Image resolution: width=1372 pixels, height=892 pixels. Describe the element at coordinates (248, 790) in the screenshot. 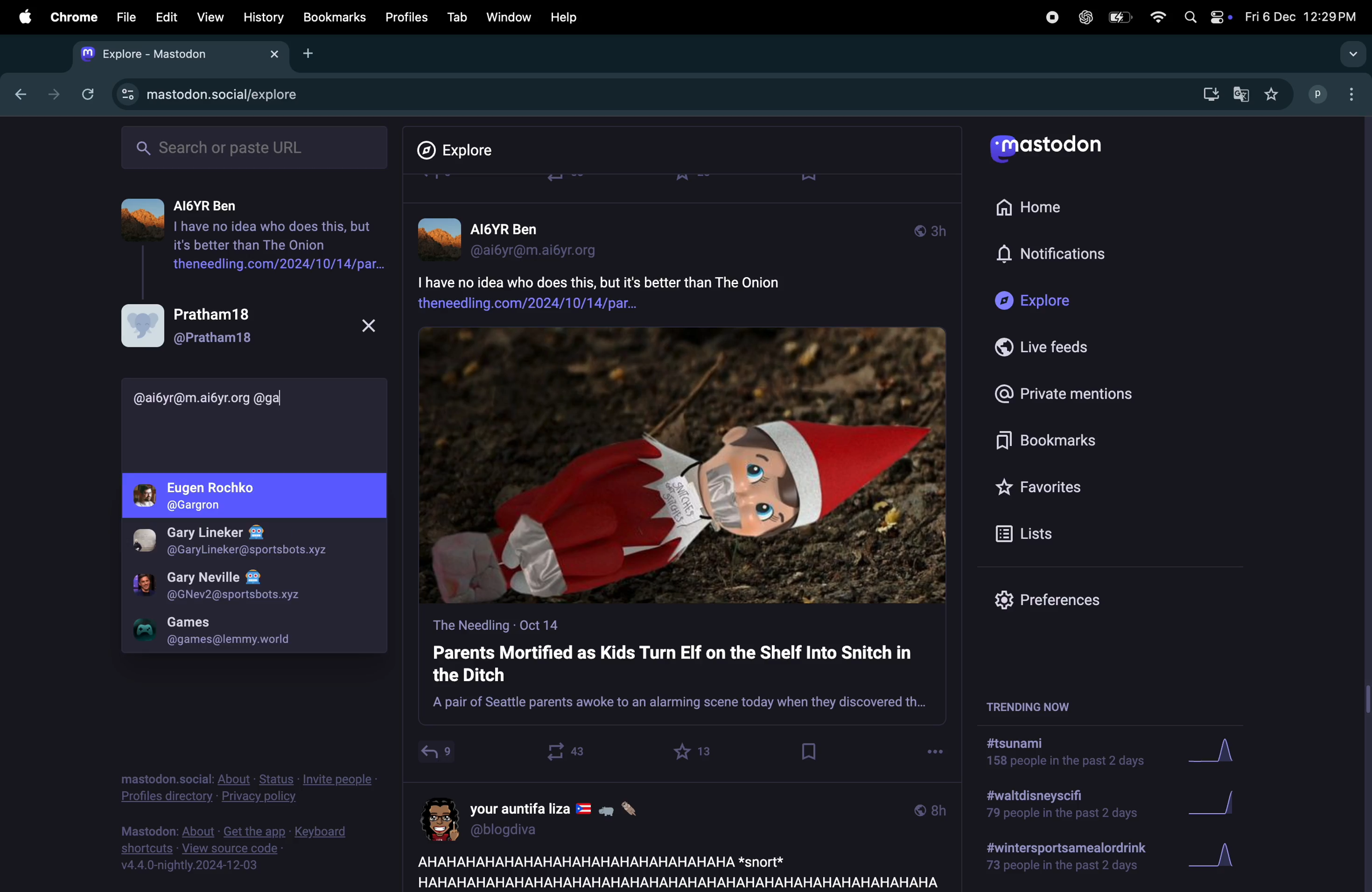

I see `privacy policy` at that location.